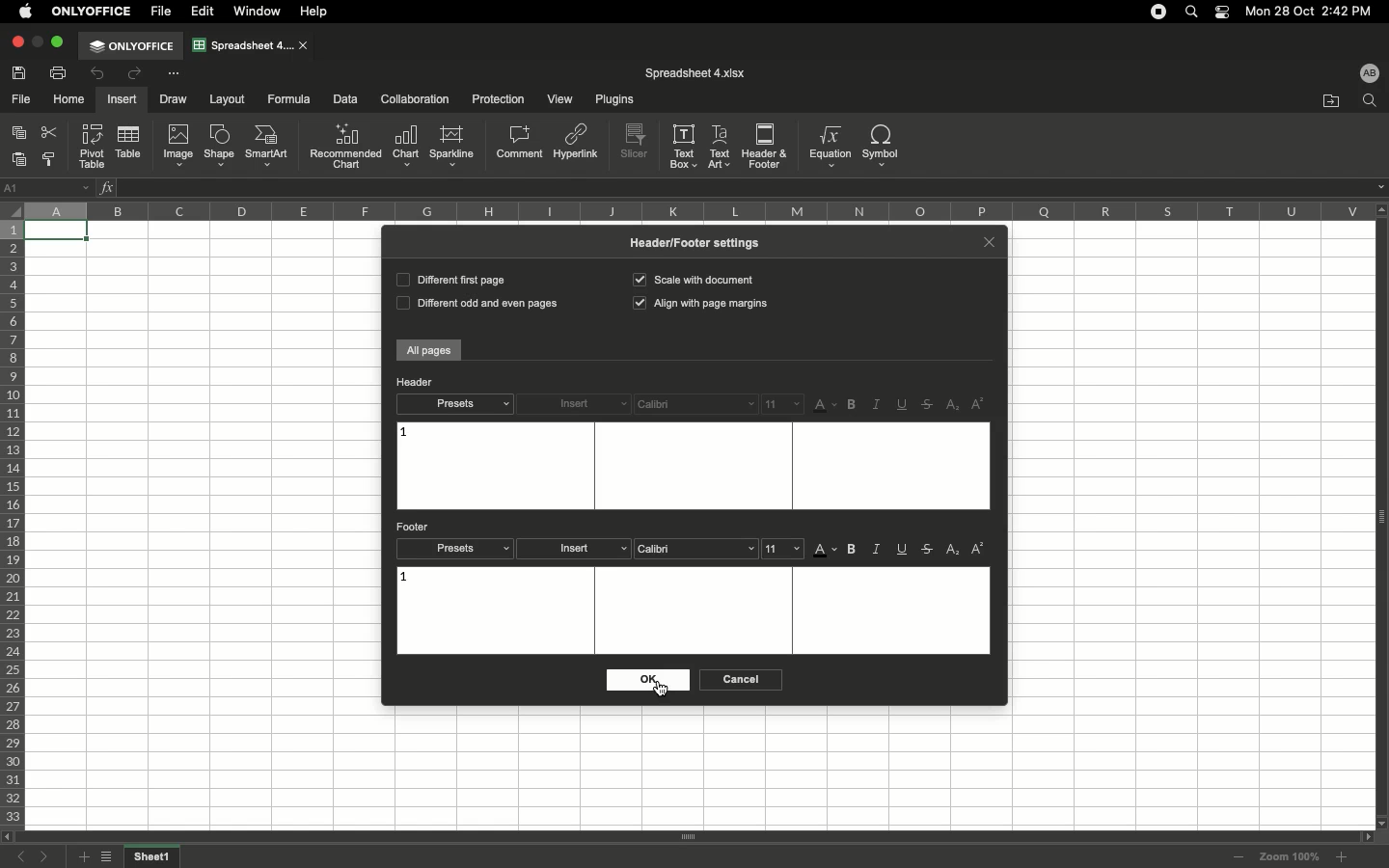 The height and width of the screenshot is (868, 1389). What do you see at coordinates (784, 548) in the screenshot?
I see `menu` at bounding box center [784, 548].